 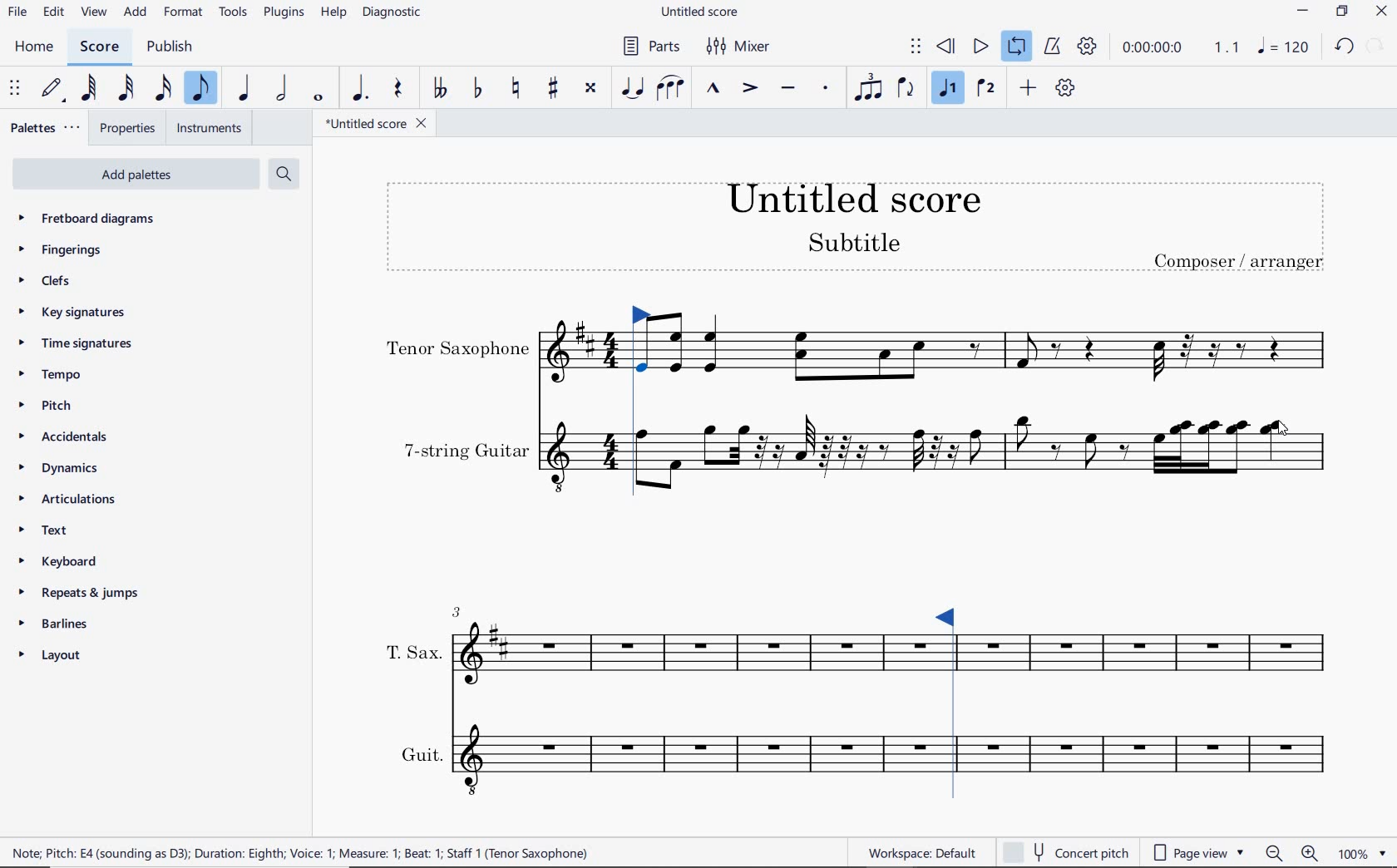 What do you see at coordinates (234, 13) in the screenshot?
I see `TOOLS` at bounding box center [234, 13].